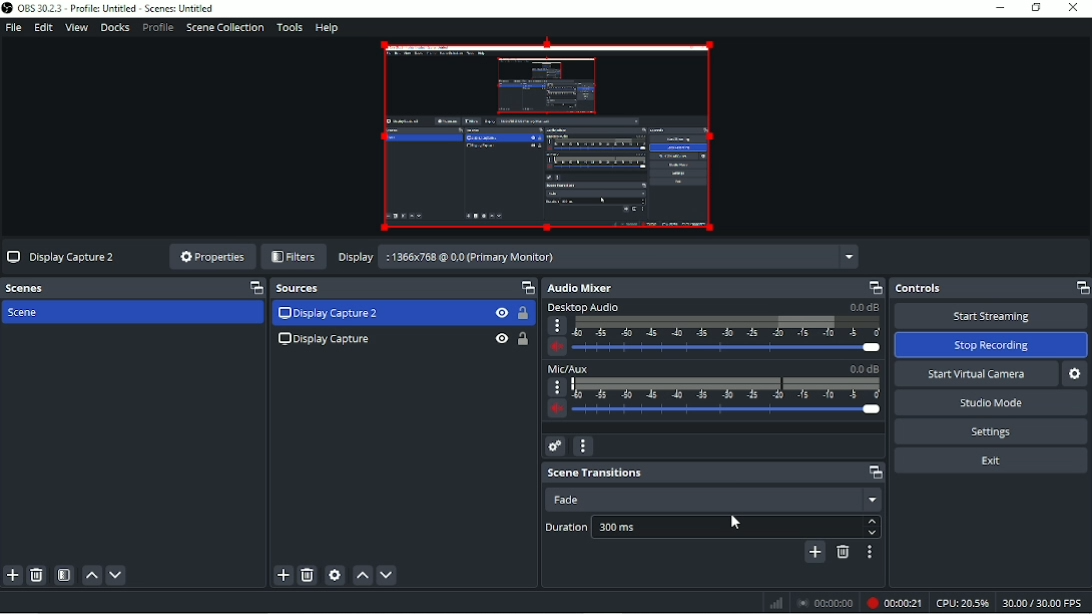  Describe the element at coordinates (290, 27) in the screenshot. I see `Tools` at that location.